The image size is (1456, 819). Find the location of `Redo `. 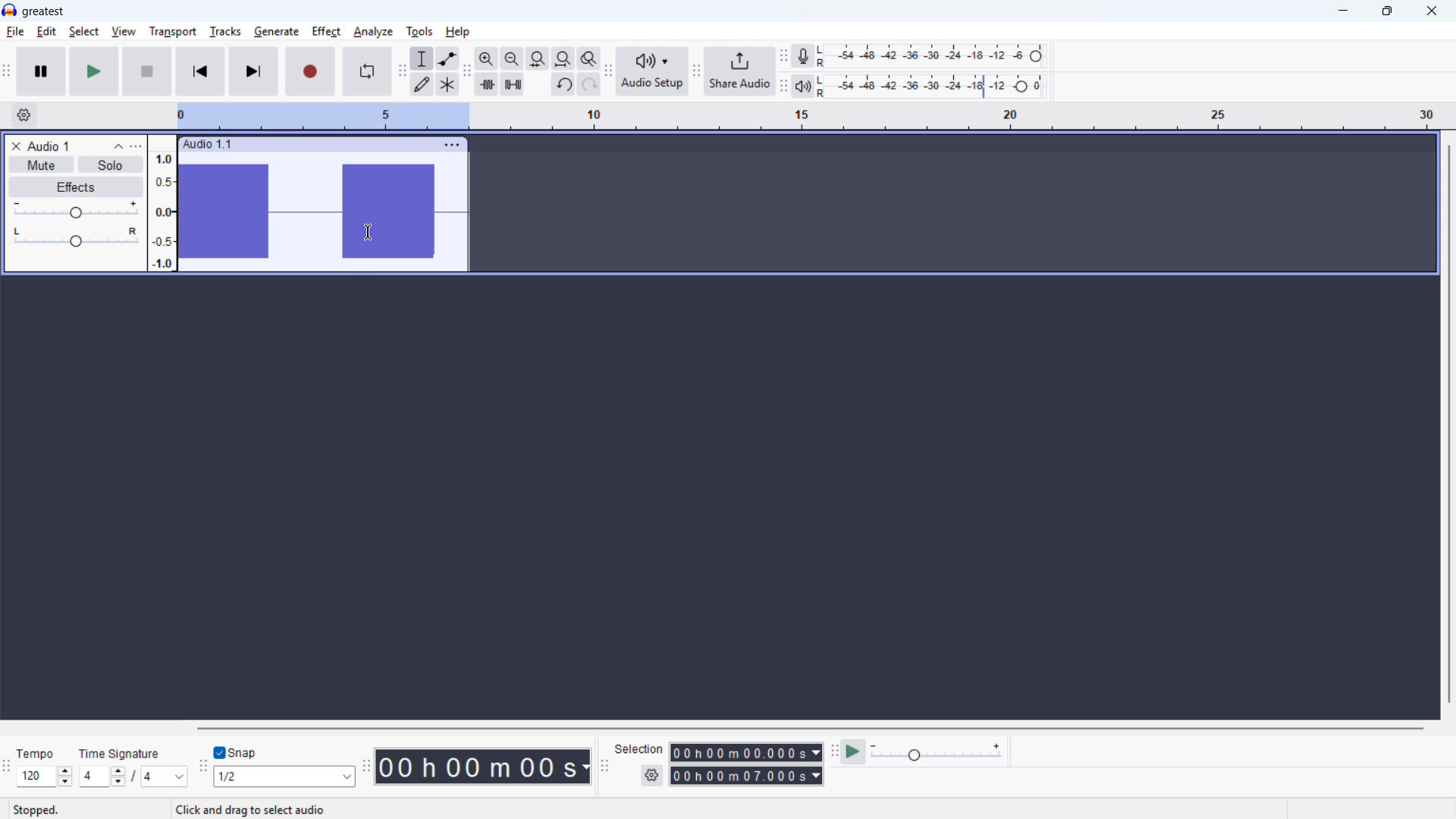

Redo  is located at coordinates (588, 84).